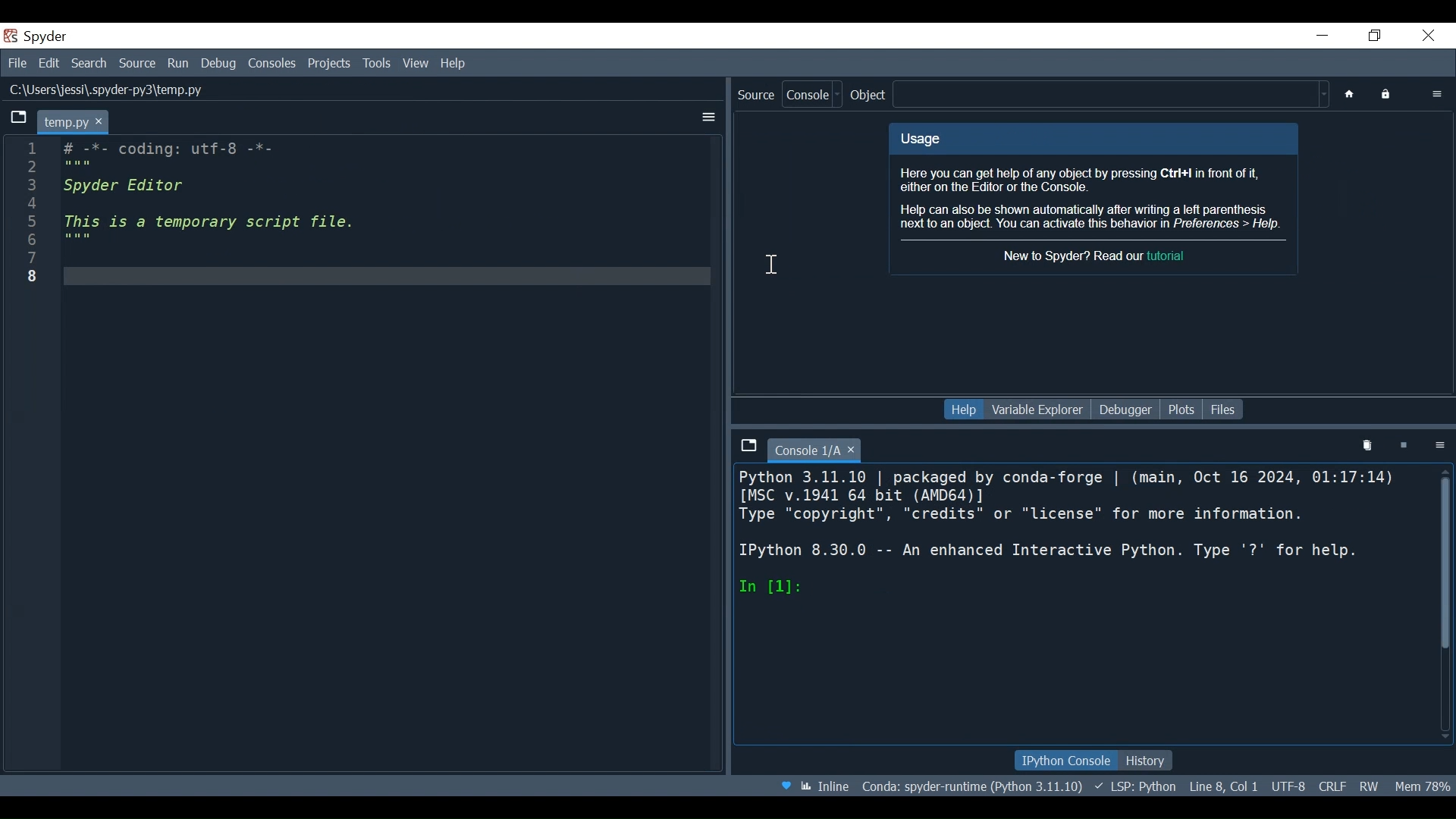 The width and height of the screenshot is (1456, 819). What do you see at coordinates (1436, 95) in the screenshot?
I see `More options` at bounding box center [1436, 95].